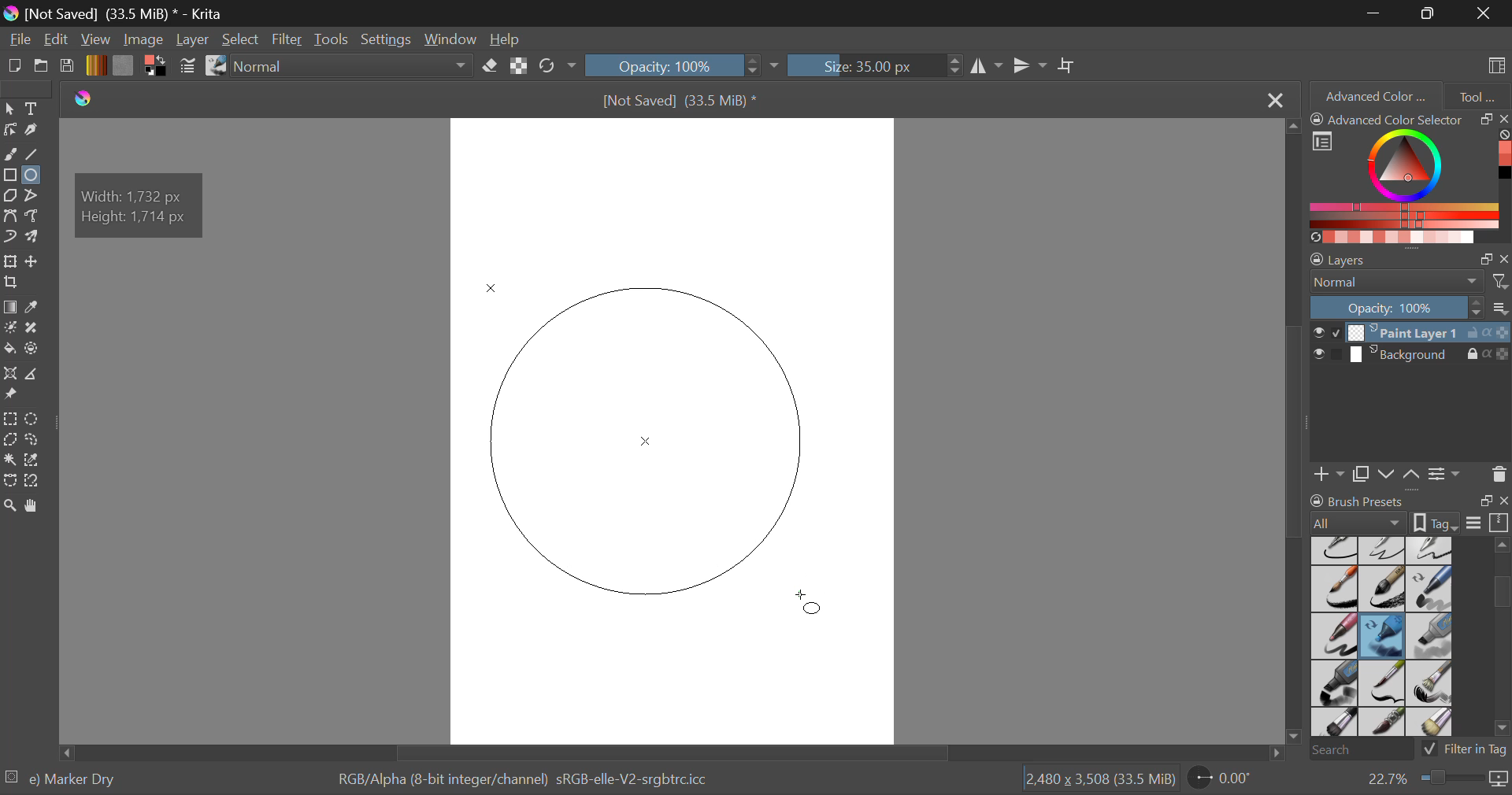  Describe the element at coordinates (154, 66) in the screenshot. I see `Colors in Use` at that location.